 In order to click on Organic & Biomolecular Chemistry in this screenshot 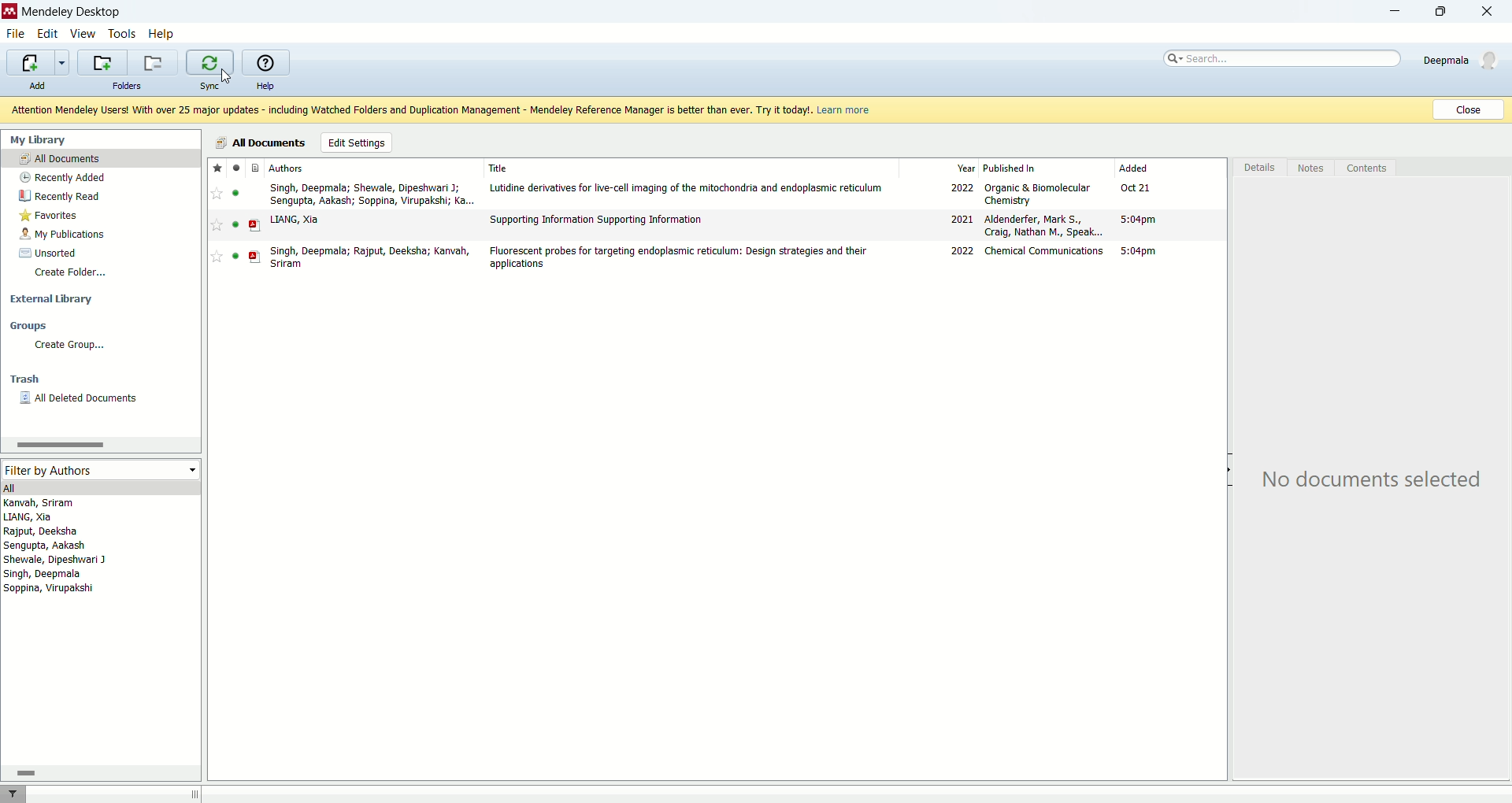, I will do `click(1042, 195)`.